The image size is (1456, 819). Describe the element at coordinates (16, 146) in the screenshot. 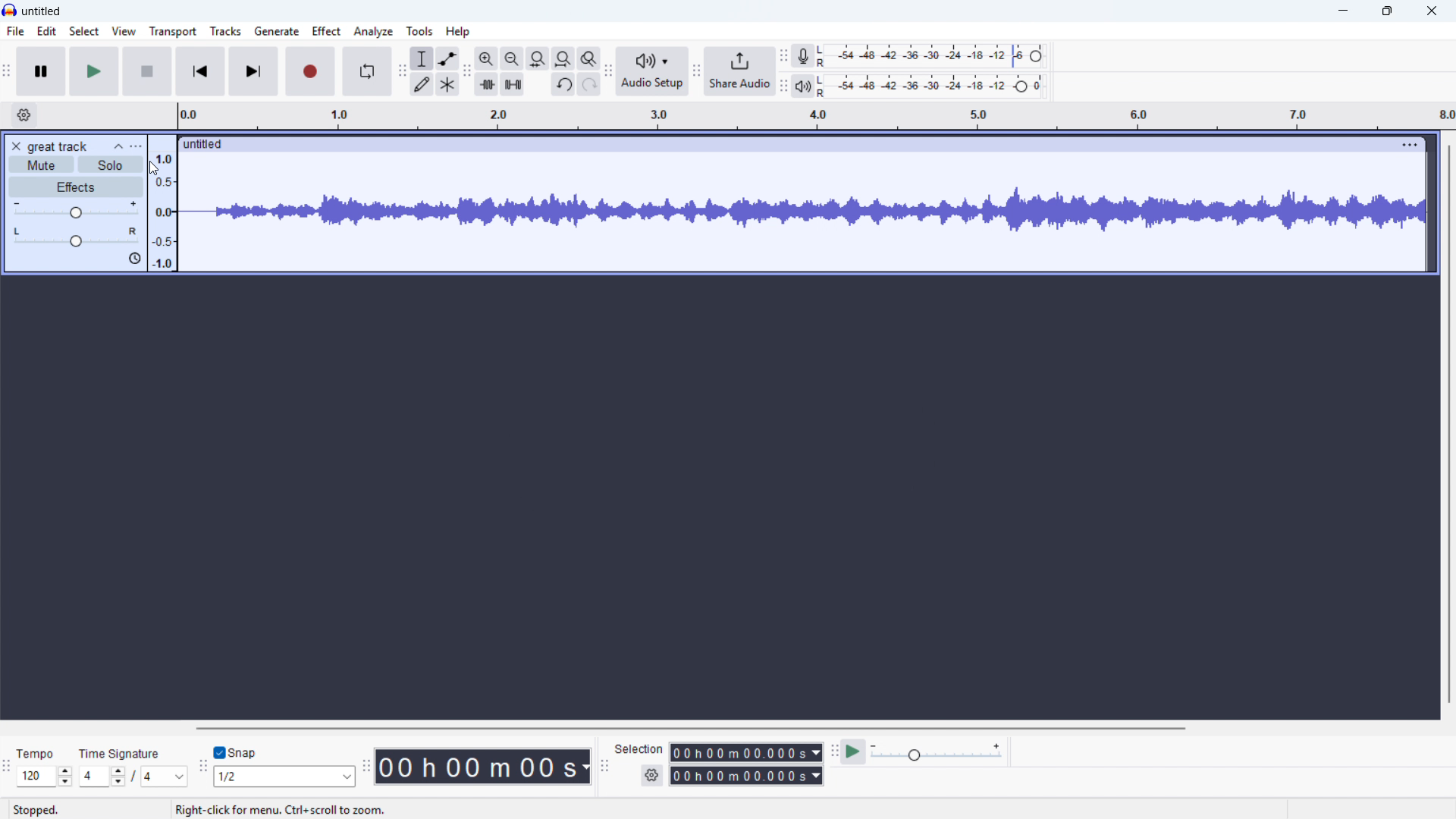

I see `Remove track ` at that location.